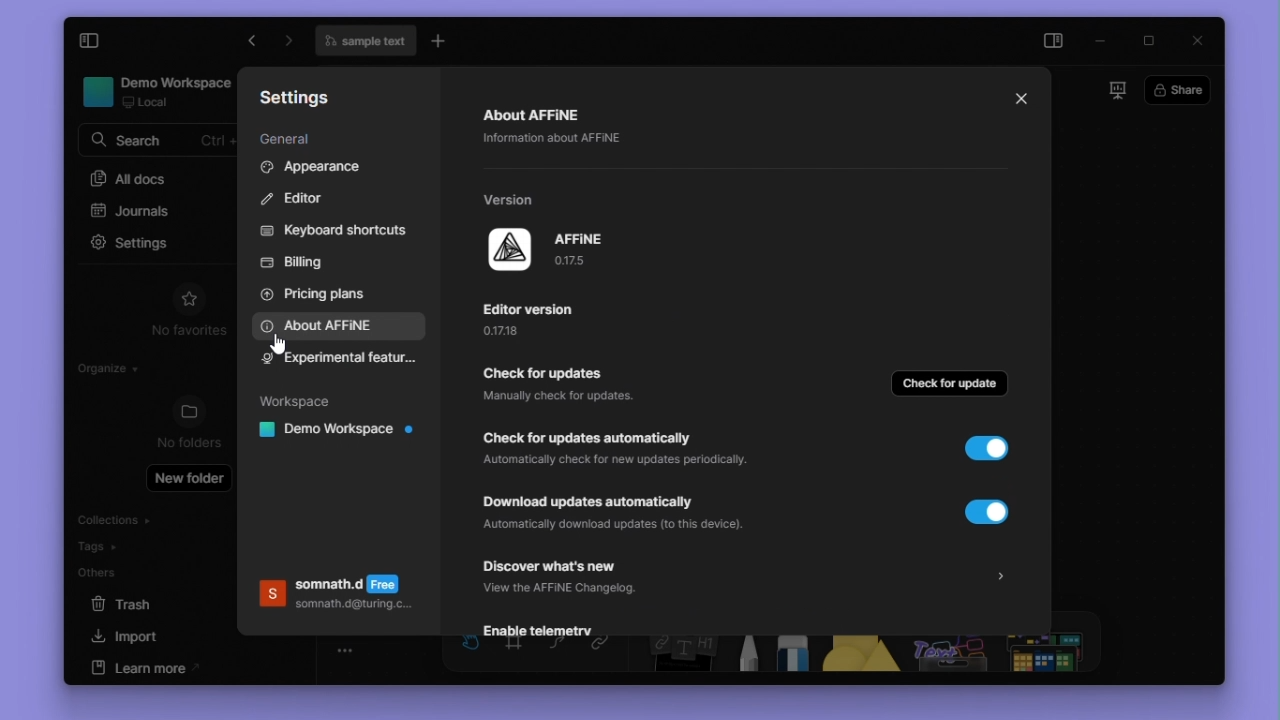 The width and height of the screenshot is (1280, 720). I want to click on go forward, so click(254, 42).